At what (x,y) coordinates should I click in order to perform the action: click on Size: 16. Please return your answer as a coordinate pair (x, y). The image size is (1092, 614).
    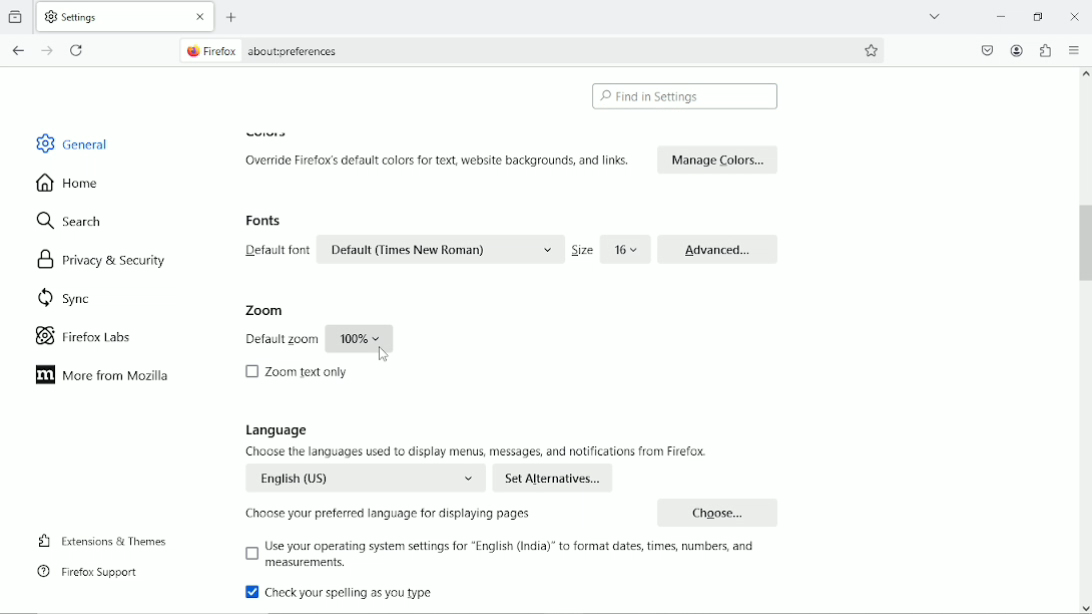
    Looking at the image, I should click on (608, 250).